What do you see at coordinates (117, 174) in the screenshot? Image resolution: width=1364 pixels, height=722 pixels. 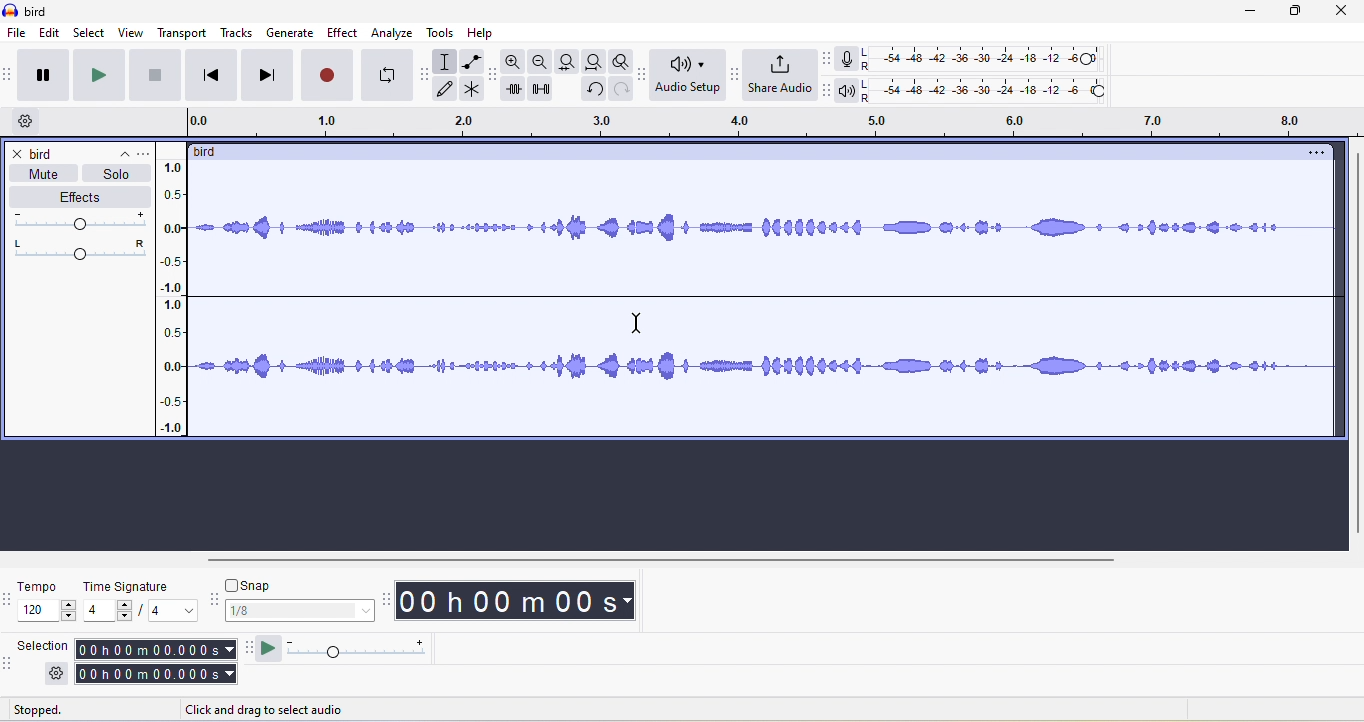 I see `solo` at bounding box center [117, 174].